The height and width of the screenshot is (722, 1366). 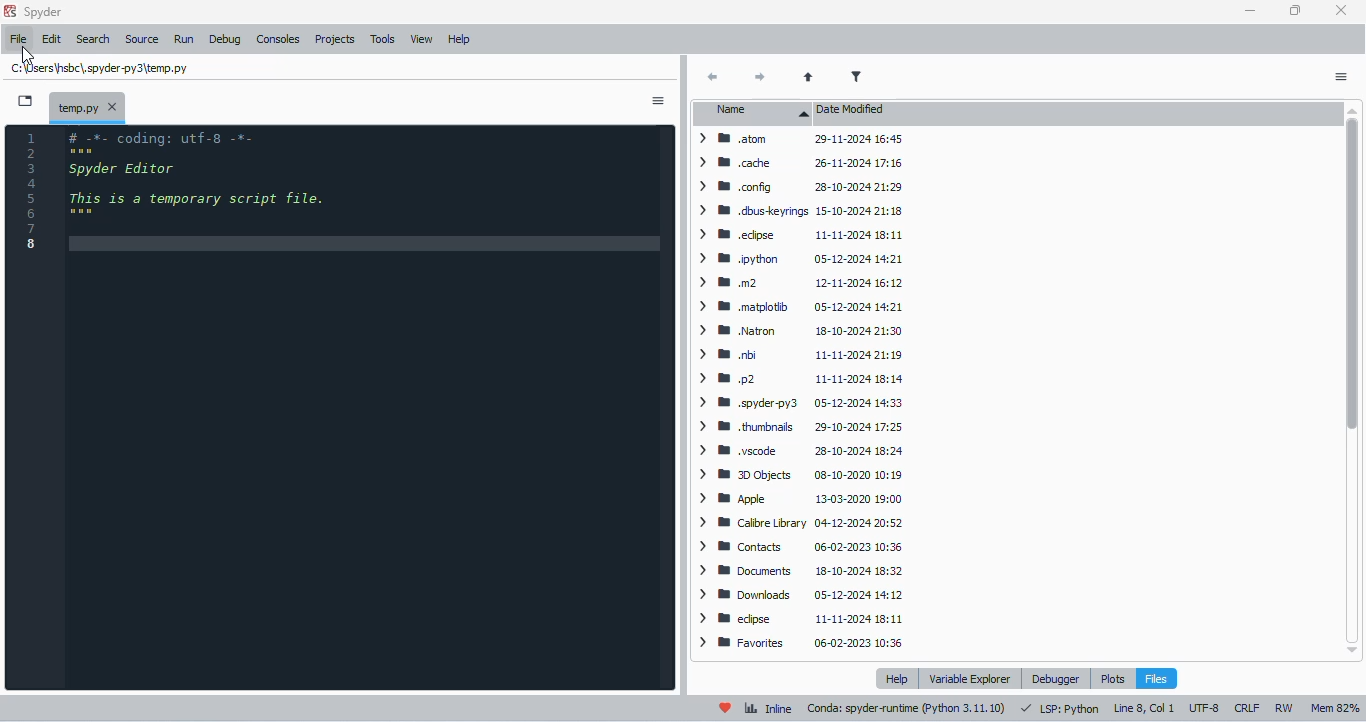 I want to click on > 8 Natron 18-10-2024 21:30, so click(x=798, y=332).